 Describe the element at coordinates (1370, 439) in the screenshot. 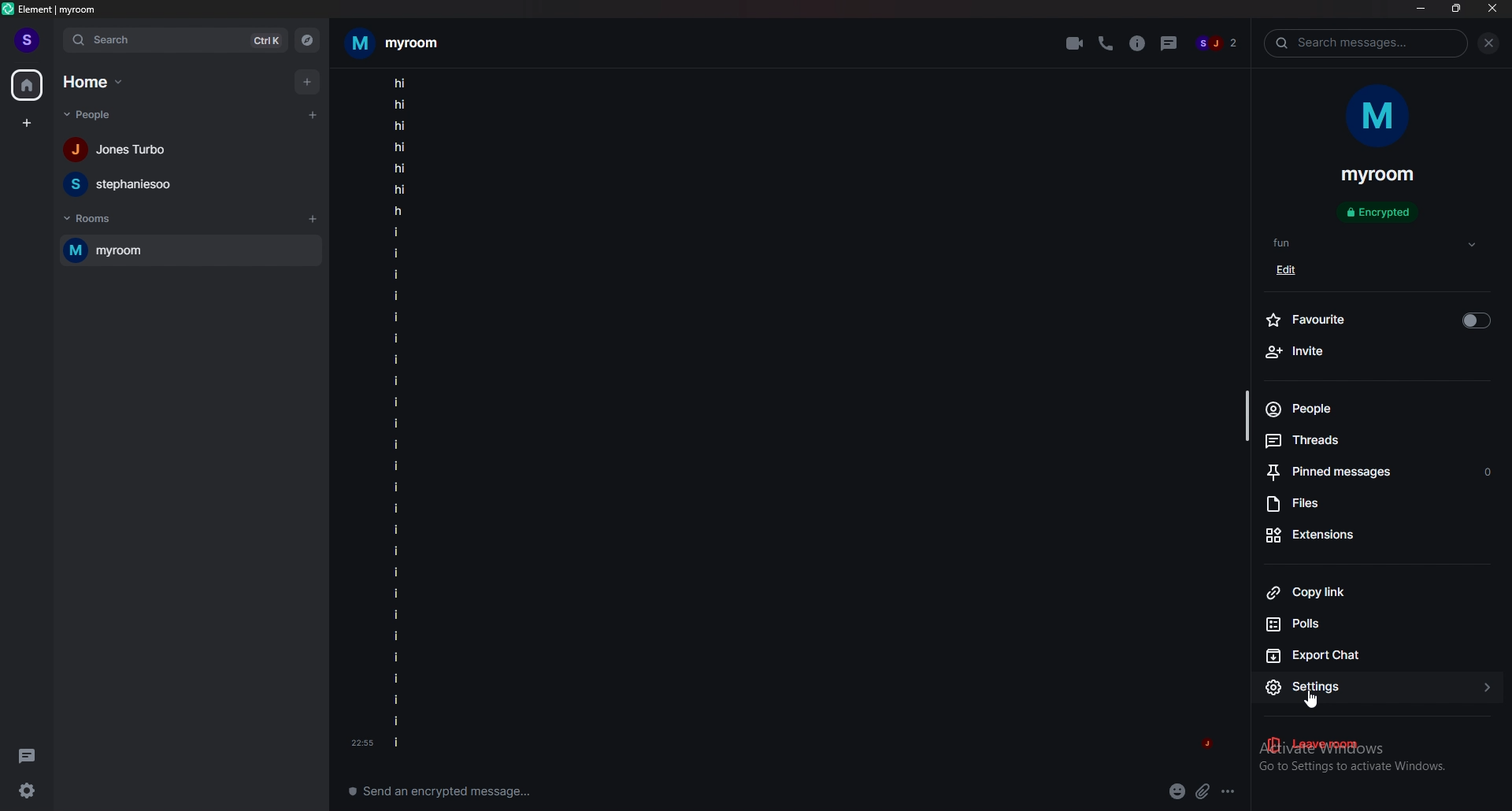

I see `threads` at that location.